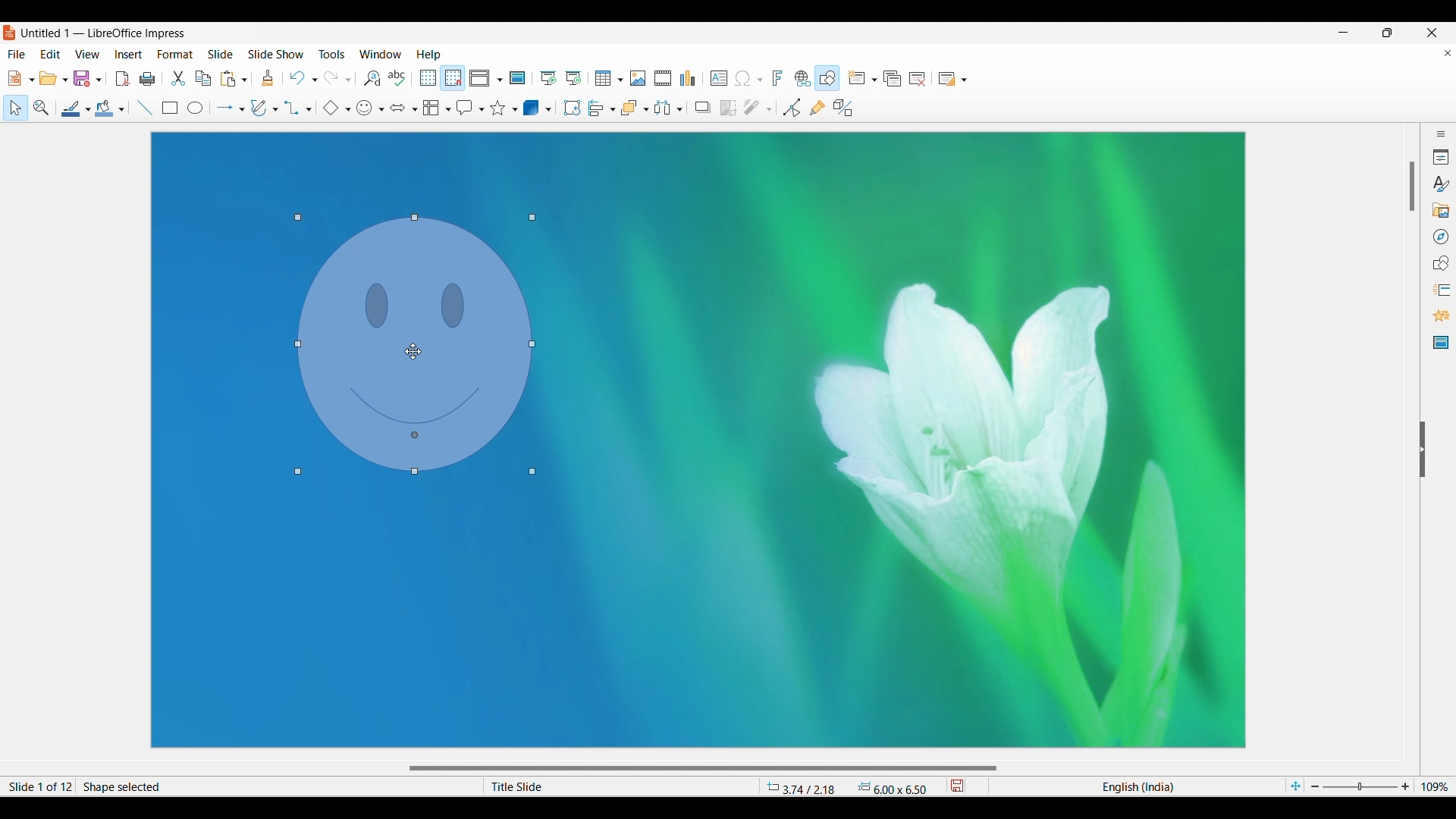 The height and width of the screenshot is (819, 1456). I want to click on Selected 3D object, so click(532, 107).